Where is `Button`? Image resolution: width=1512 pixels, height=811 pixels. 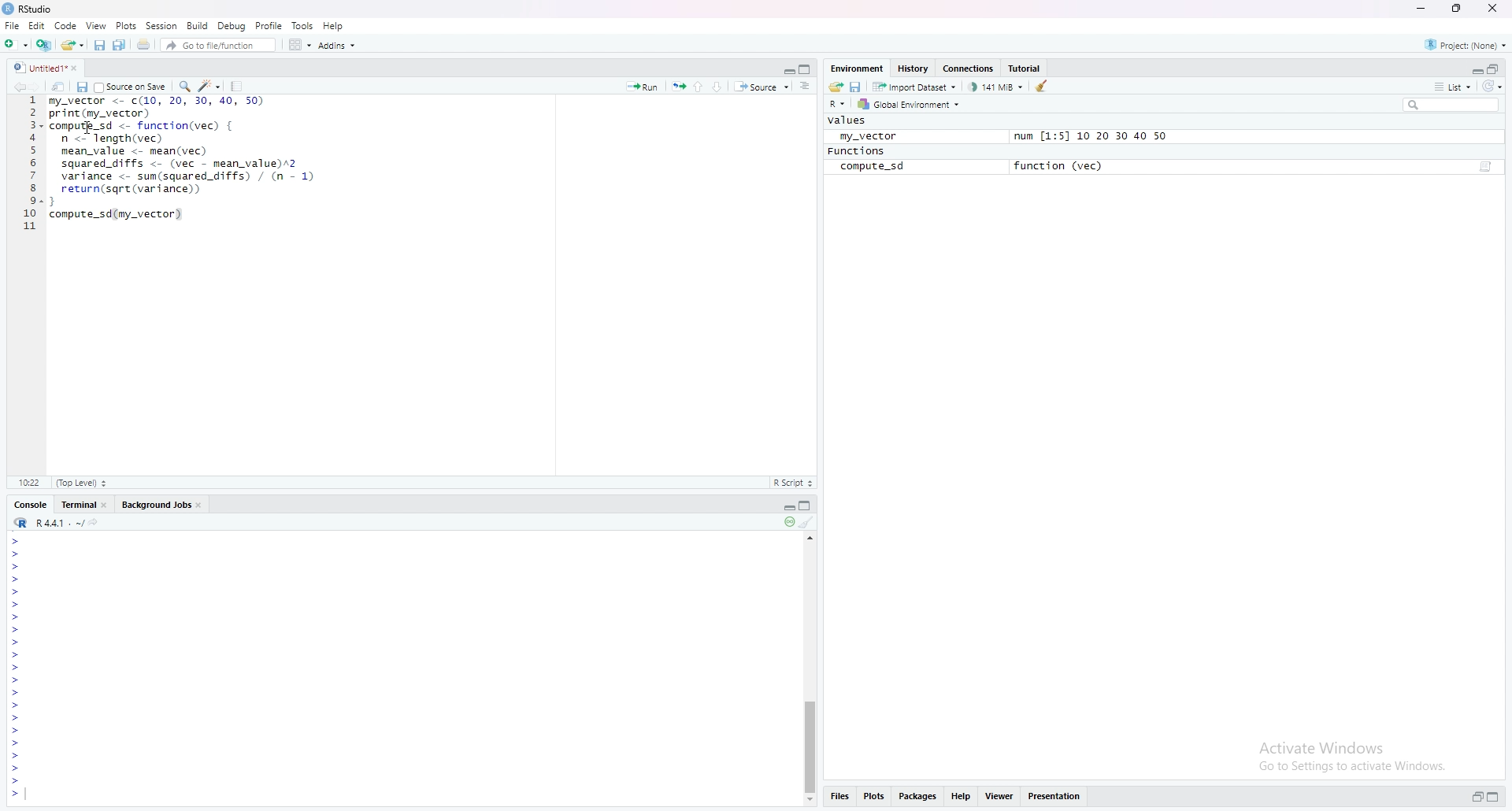
Button is located at coordinates (810, 801).